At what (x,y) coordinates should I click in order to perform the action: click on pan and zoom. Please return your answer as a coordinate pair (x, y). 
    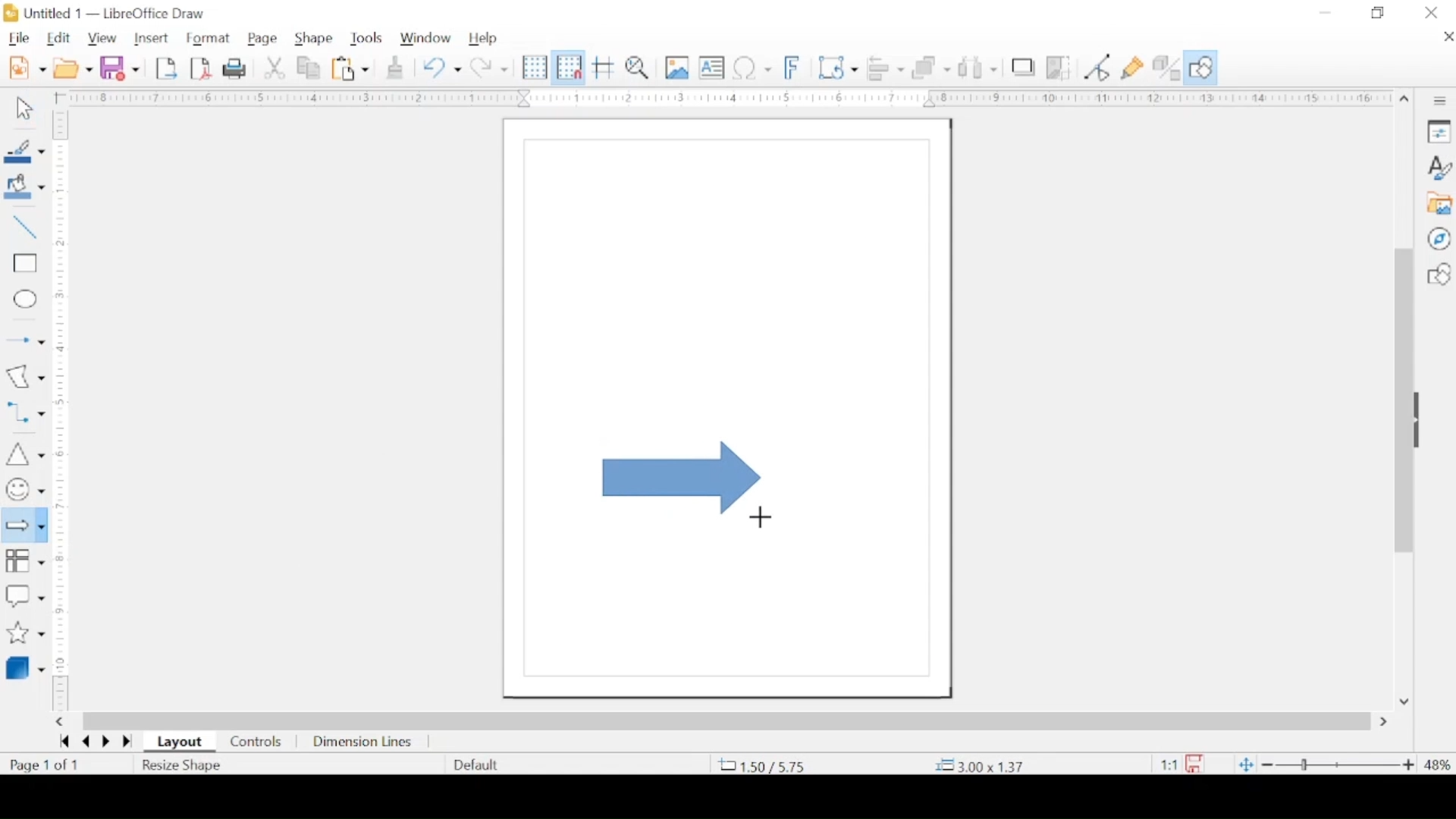
    Looking at the image, I should click on (638, 67).